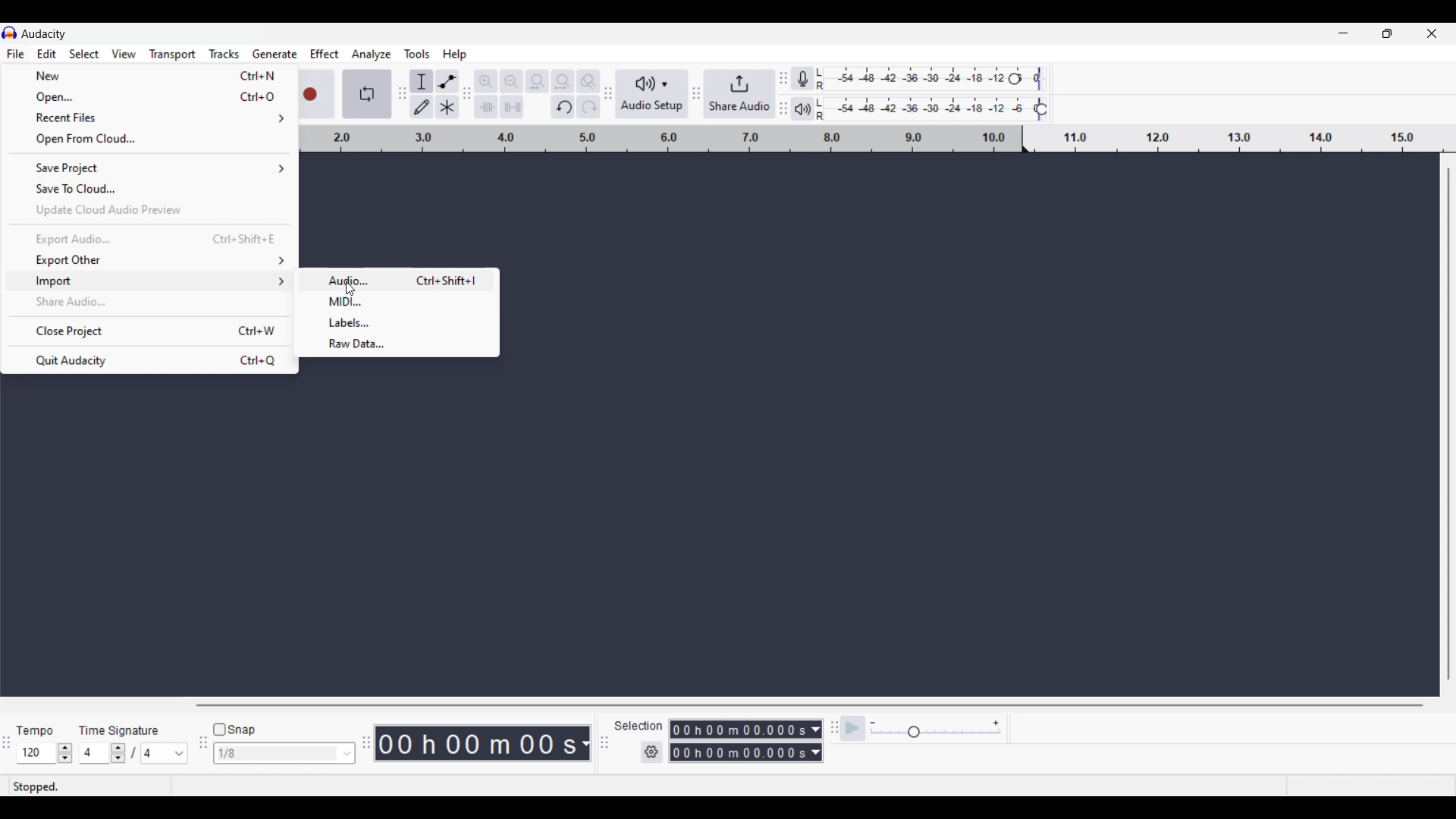 This screenshot has width=1456, height=819. Describe the element at coordinates (397, 280) in the screenshot. I see `Audio   Ctrl+Shift+I` at that location.